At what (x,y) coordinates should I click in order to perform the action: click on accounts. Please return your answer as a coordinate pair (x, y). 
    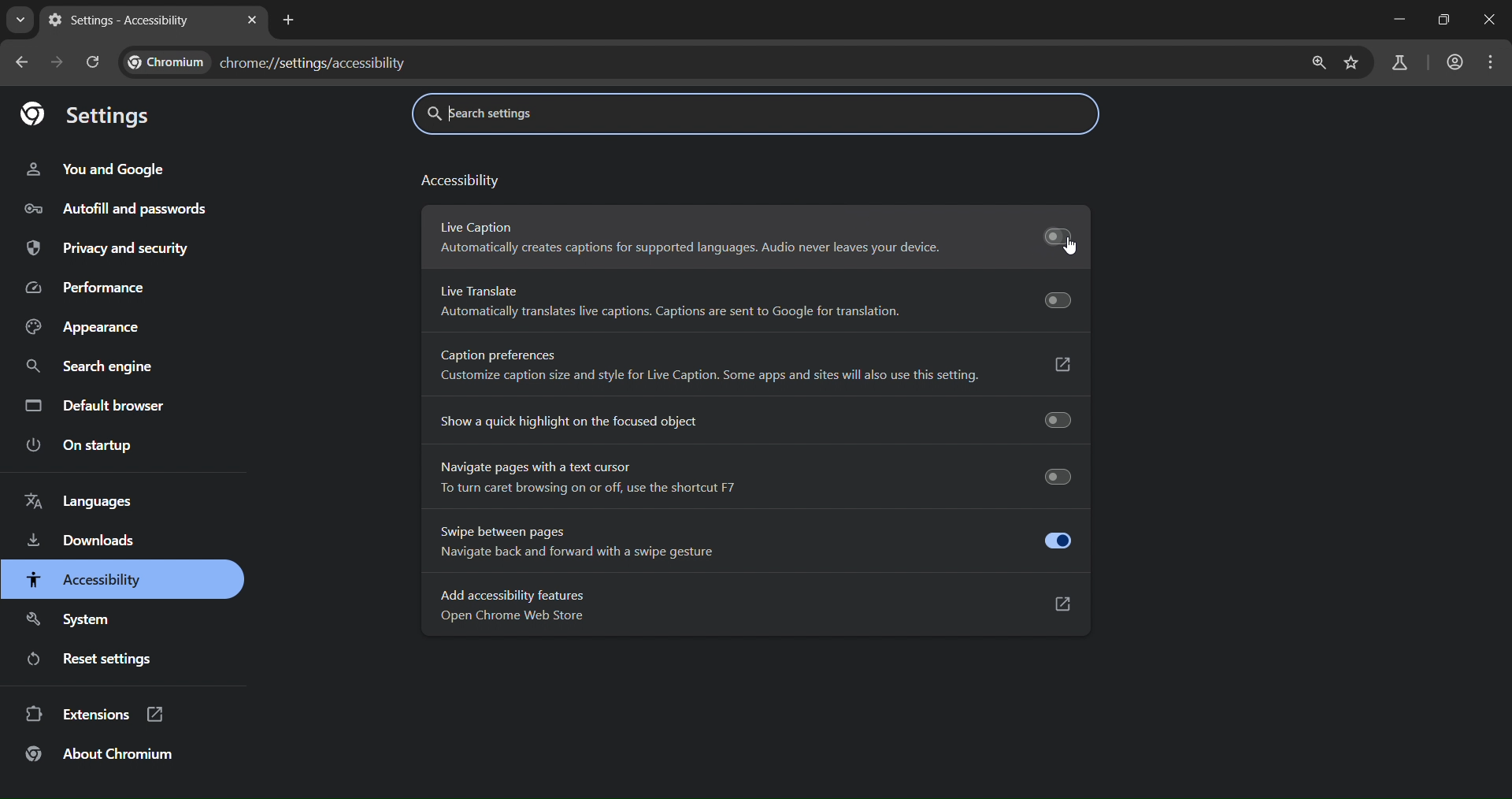
    Looking at the image, I should click on (1456, 63).